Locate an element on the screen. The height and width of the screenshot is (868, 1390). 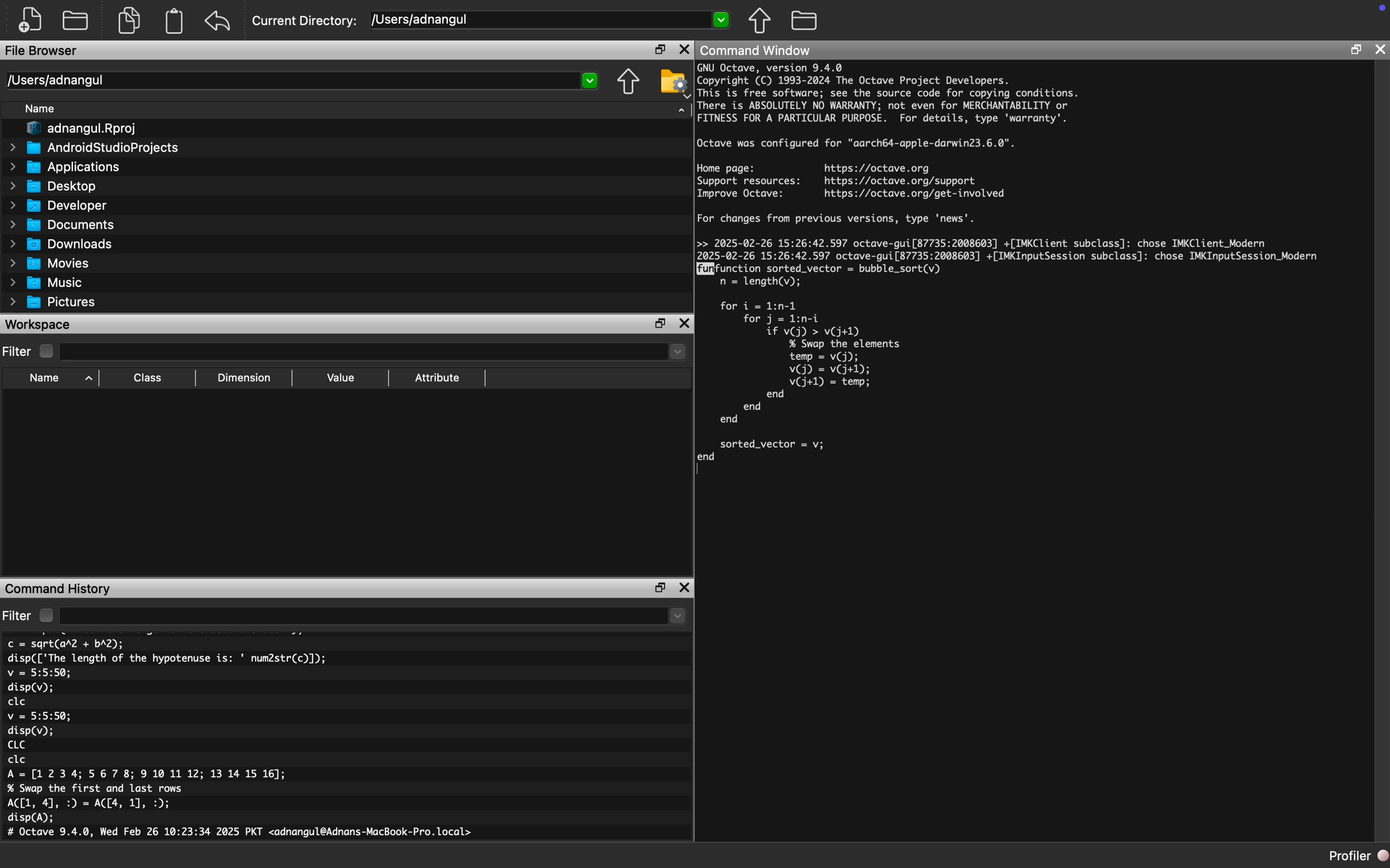
Current Directory: is located at coordinates (307, 21).